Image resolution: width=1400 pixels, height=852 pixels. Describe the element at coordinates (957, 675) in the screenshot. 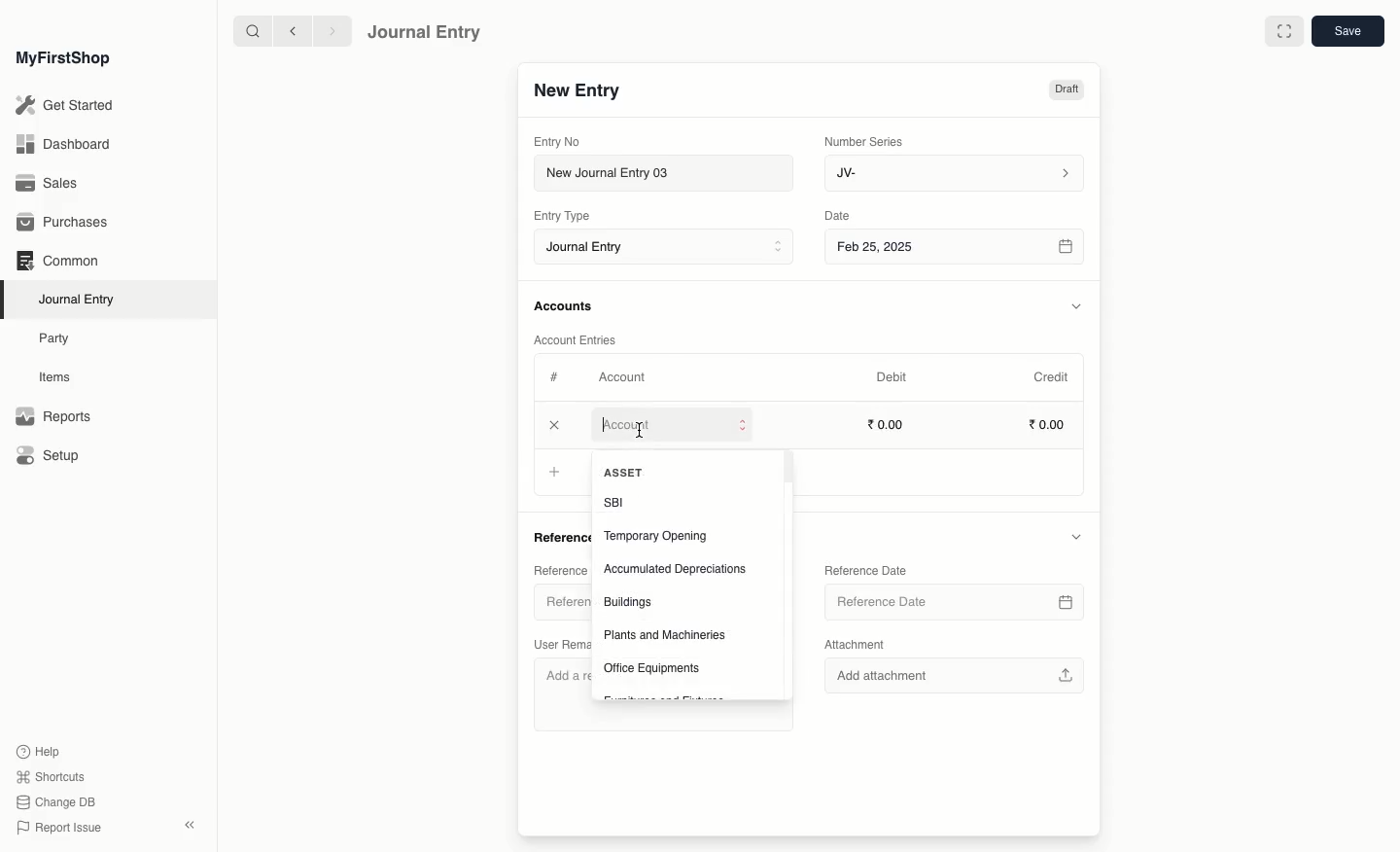

I see `Add attachment` at that location.